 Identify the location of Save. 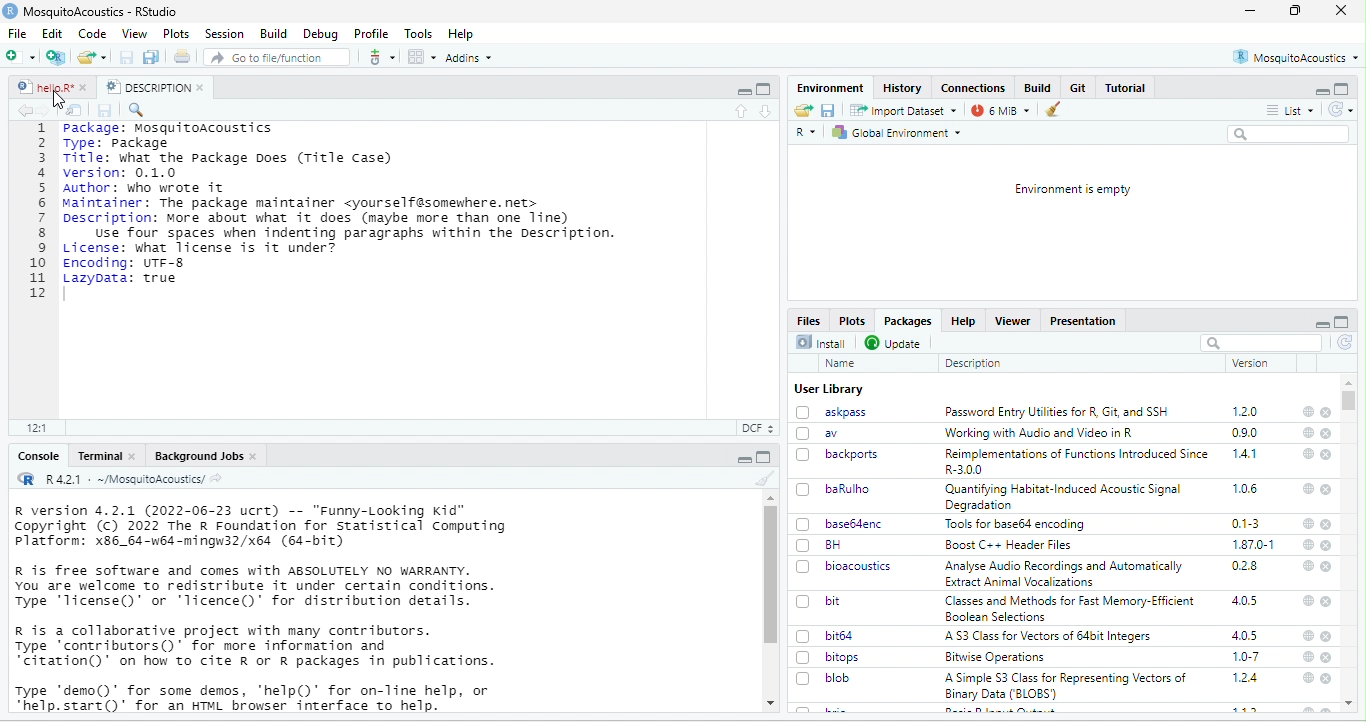
(107, 111).